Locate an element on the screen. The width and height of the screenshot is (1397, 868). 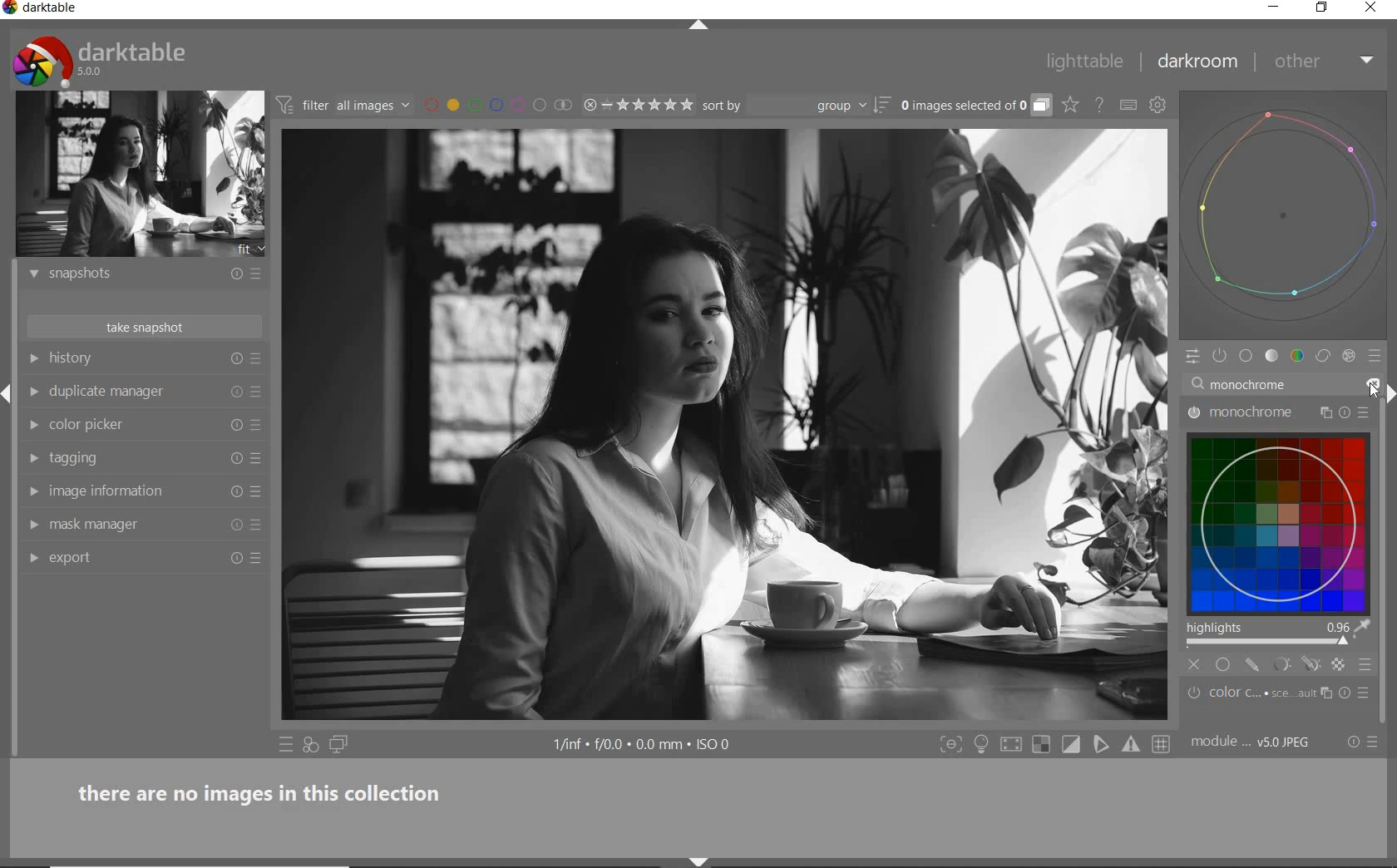
off is located at coordinates (1193, 664).